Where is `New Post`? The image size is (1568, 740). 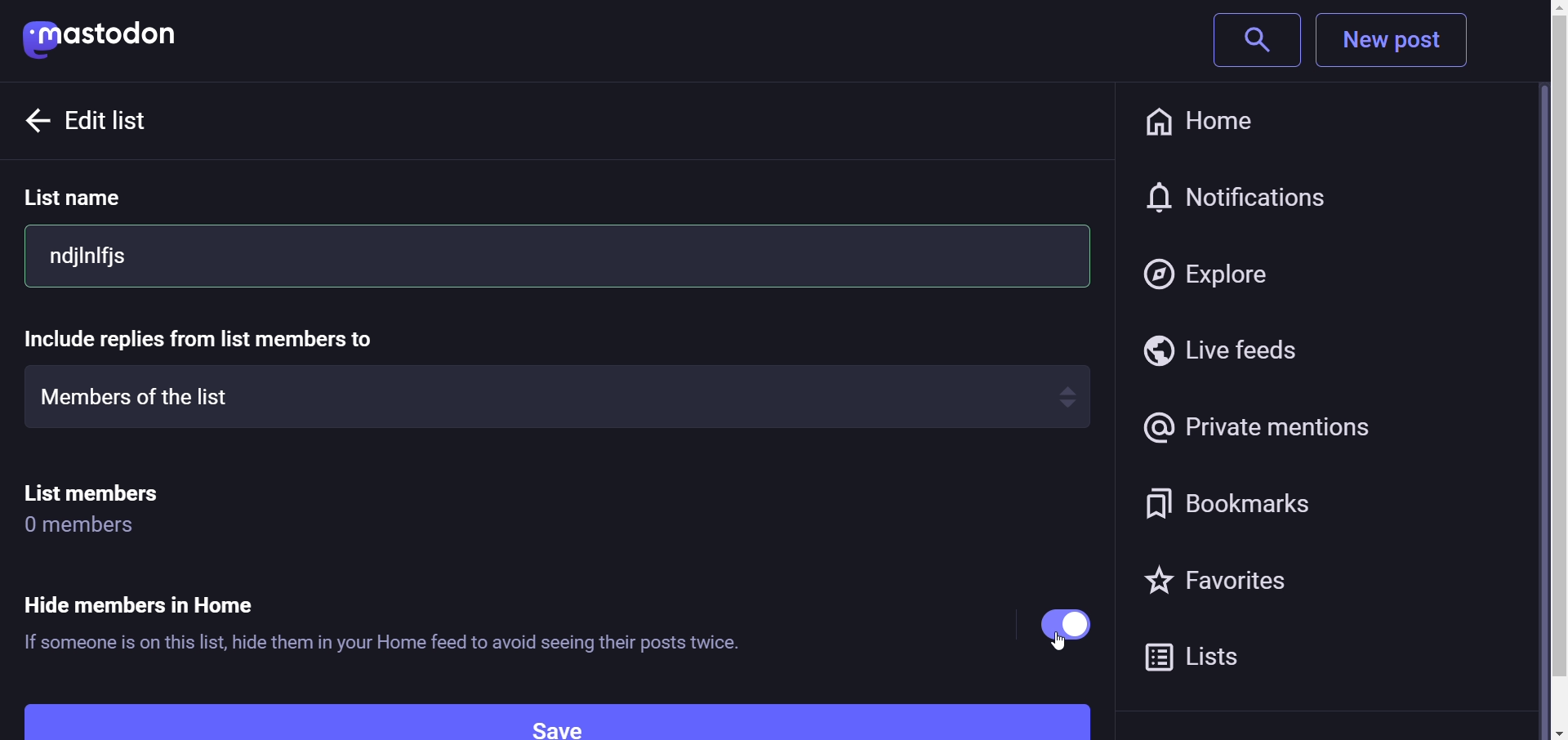 New Post is located at coordinates (1396, 41).